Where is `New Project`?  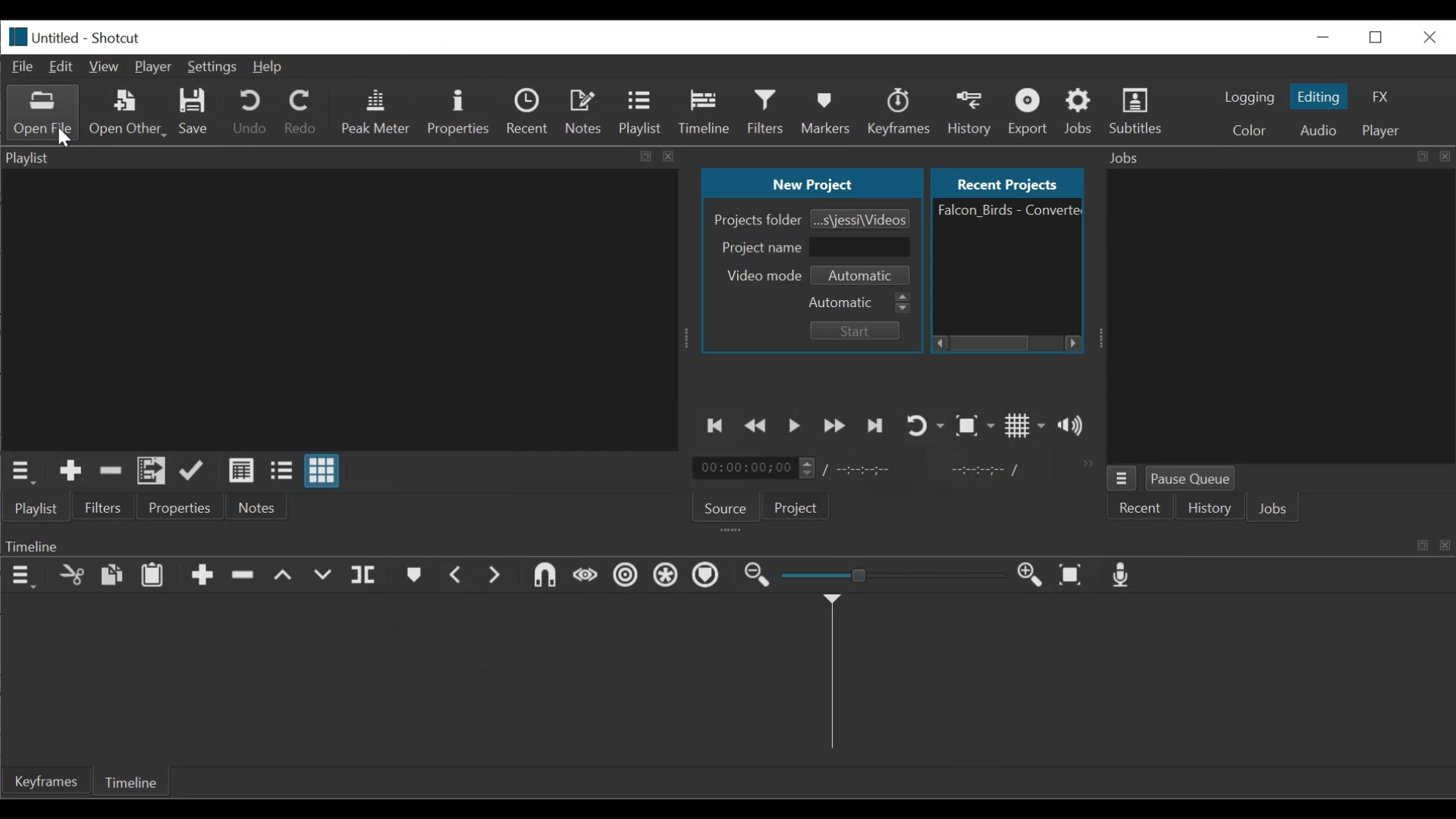 New Project is located at coordinates (811, 182).